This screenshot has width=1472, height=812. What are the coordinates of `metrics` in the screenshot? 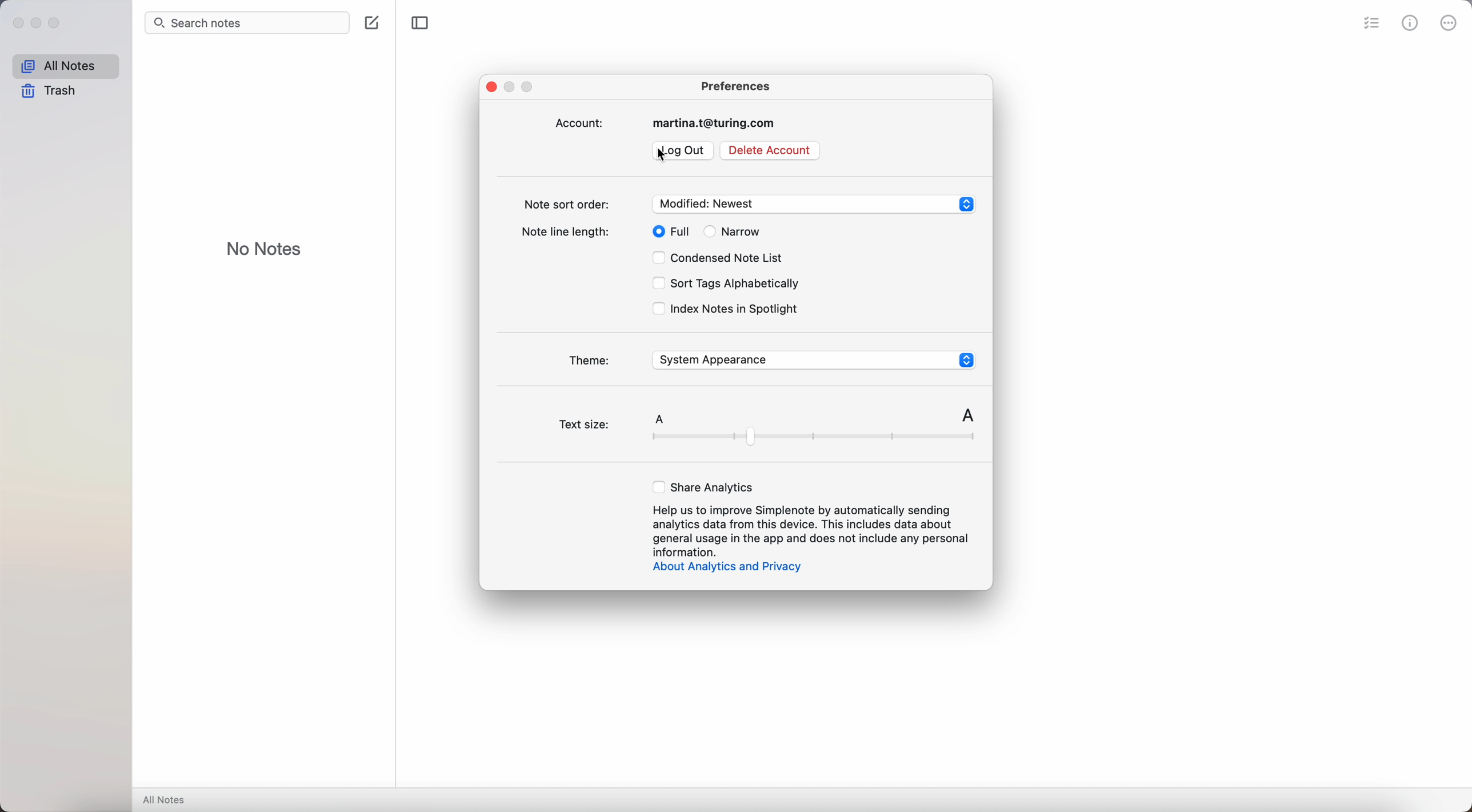 It's located at (1411, 22).